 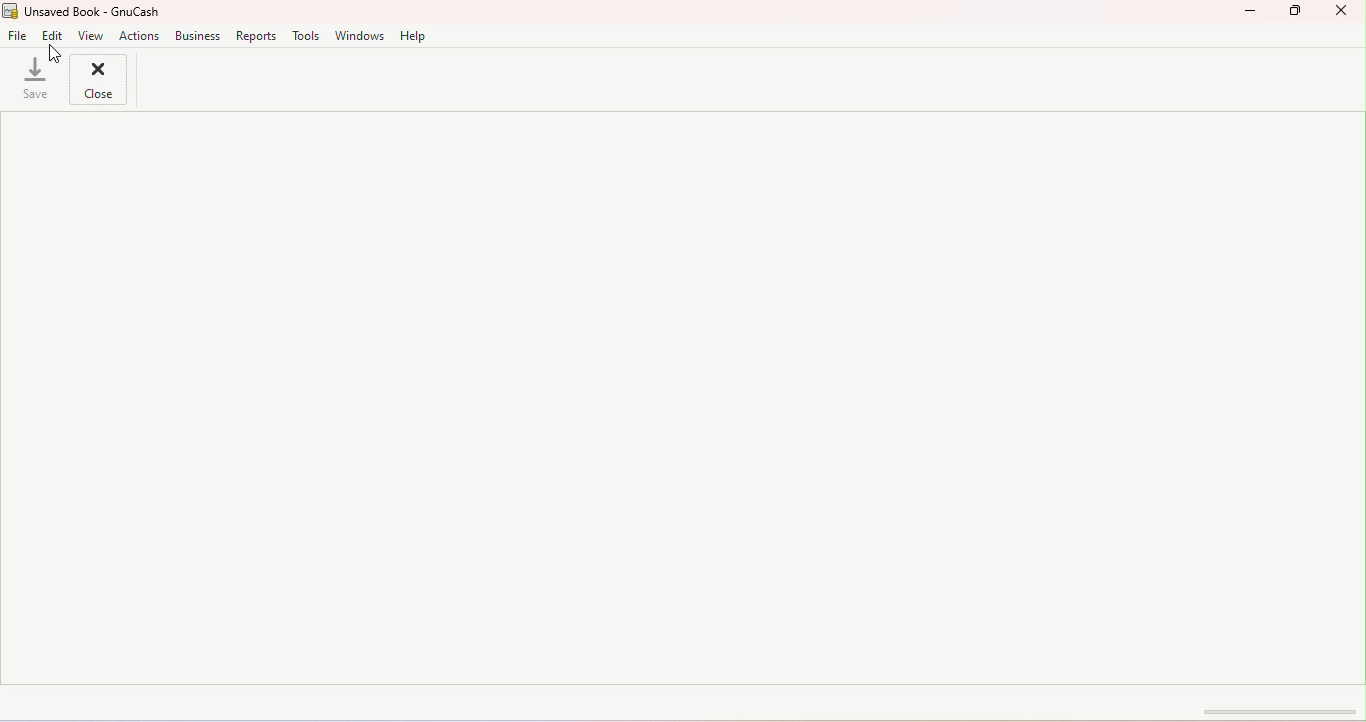 What do you see at coordinates (31, 78) in the screenshot?
I see `Save` at bounding box center [31, 78].